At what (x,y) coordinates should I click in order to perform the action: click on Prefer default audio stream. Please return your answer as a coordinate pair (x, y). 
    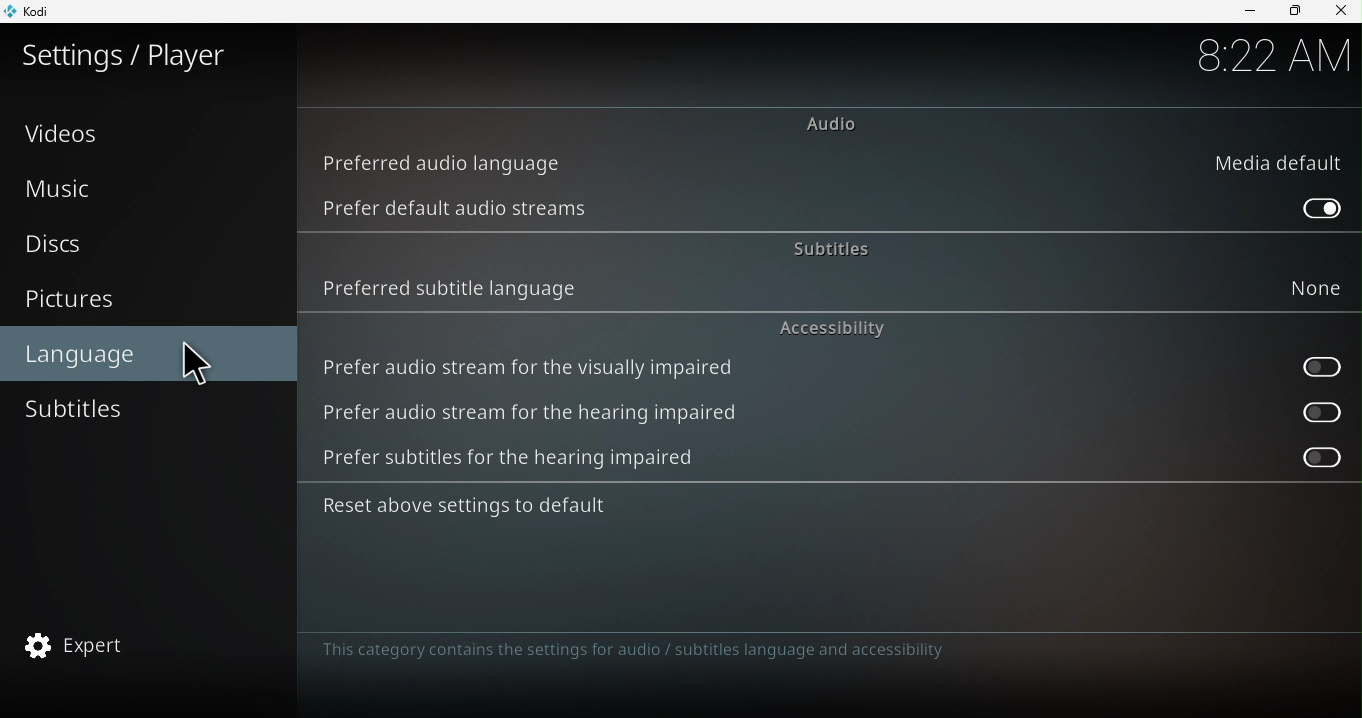
    Looking at the image, I should click on (1317, 207).